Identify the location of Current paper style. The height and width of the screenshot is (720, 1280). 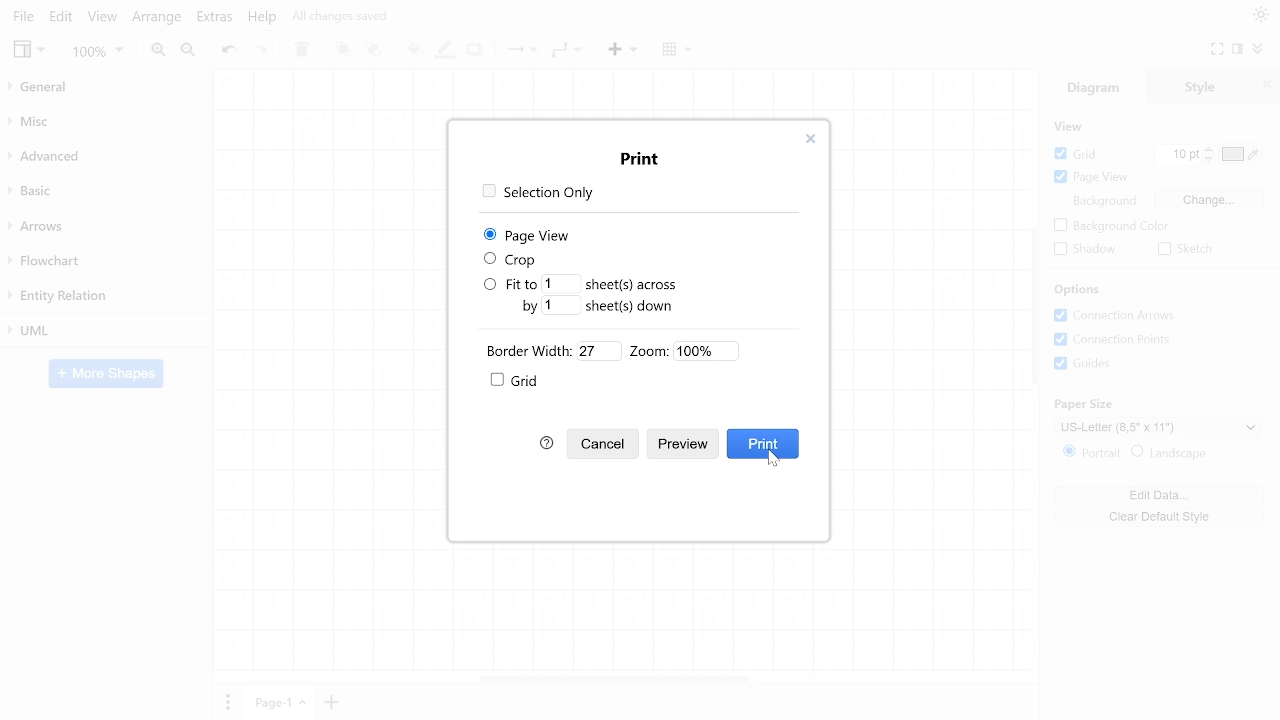
(1154, 427).